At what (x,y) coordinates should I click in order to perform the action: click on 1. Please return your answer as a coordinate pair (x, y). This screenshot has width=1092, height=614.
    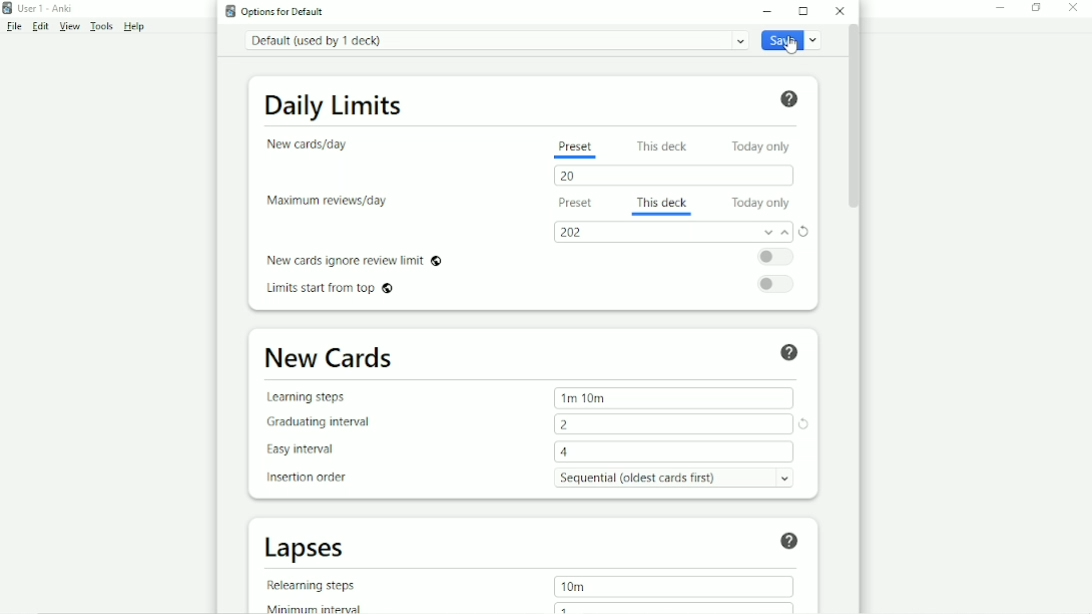
    Looking at the image, I should click on (564, 607).